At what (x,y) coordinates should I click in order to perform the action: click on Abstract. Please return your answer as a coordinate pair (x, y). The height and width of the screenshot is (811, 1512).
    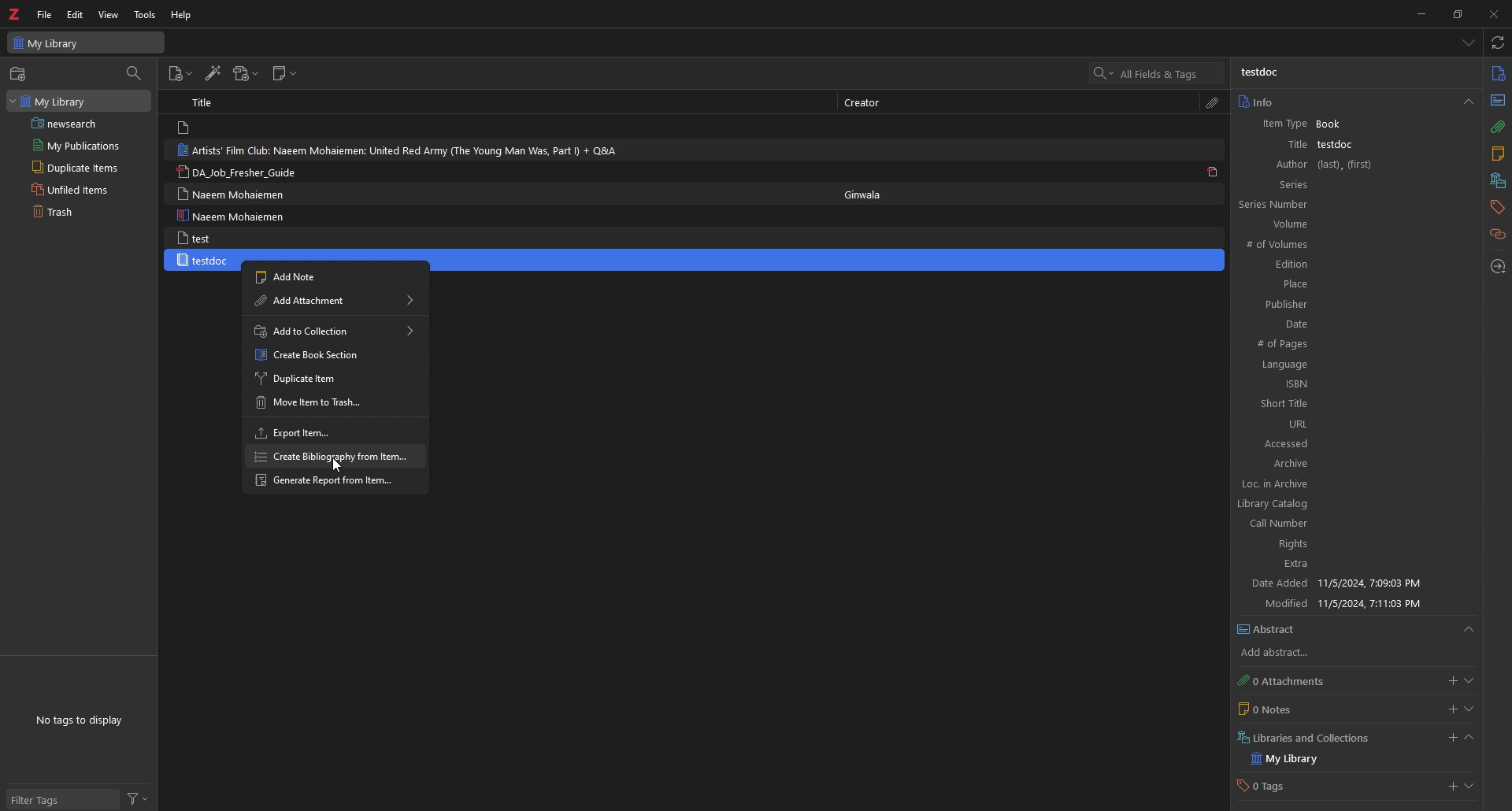
    Looking at the image, I should click on (1356, 630).